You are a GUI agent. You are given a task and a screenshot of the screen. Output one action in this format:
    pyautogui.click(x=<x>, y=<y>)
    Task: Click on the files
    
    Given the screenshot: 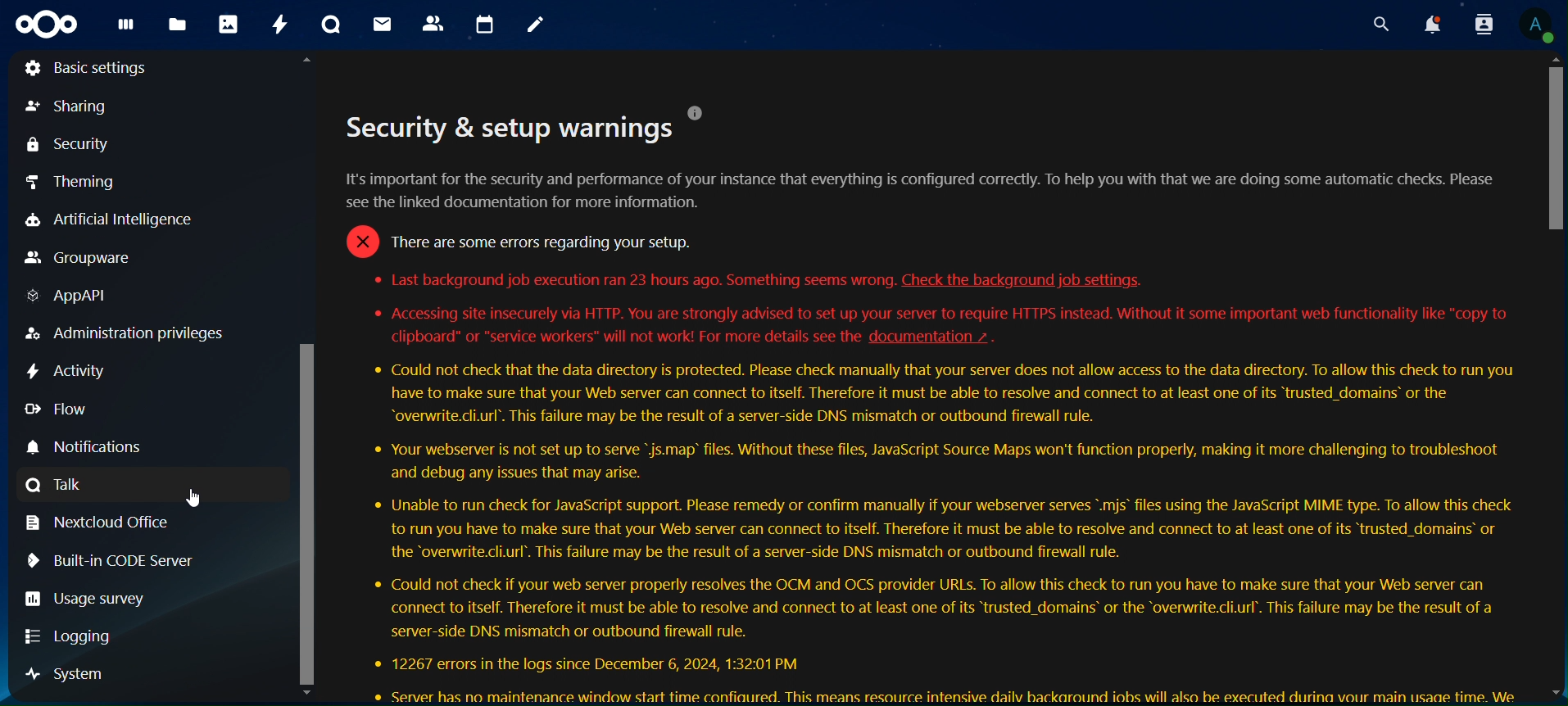 What is the action you would take?
    pyautogui.click(x=178, y=25)
    